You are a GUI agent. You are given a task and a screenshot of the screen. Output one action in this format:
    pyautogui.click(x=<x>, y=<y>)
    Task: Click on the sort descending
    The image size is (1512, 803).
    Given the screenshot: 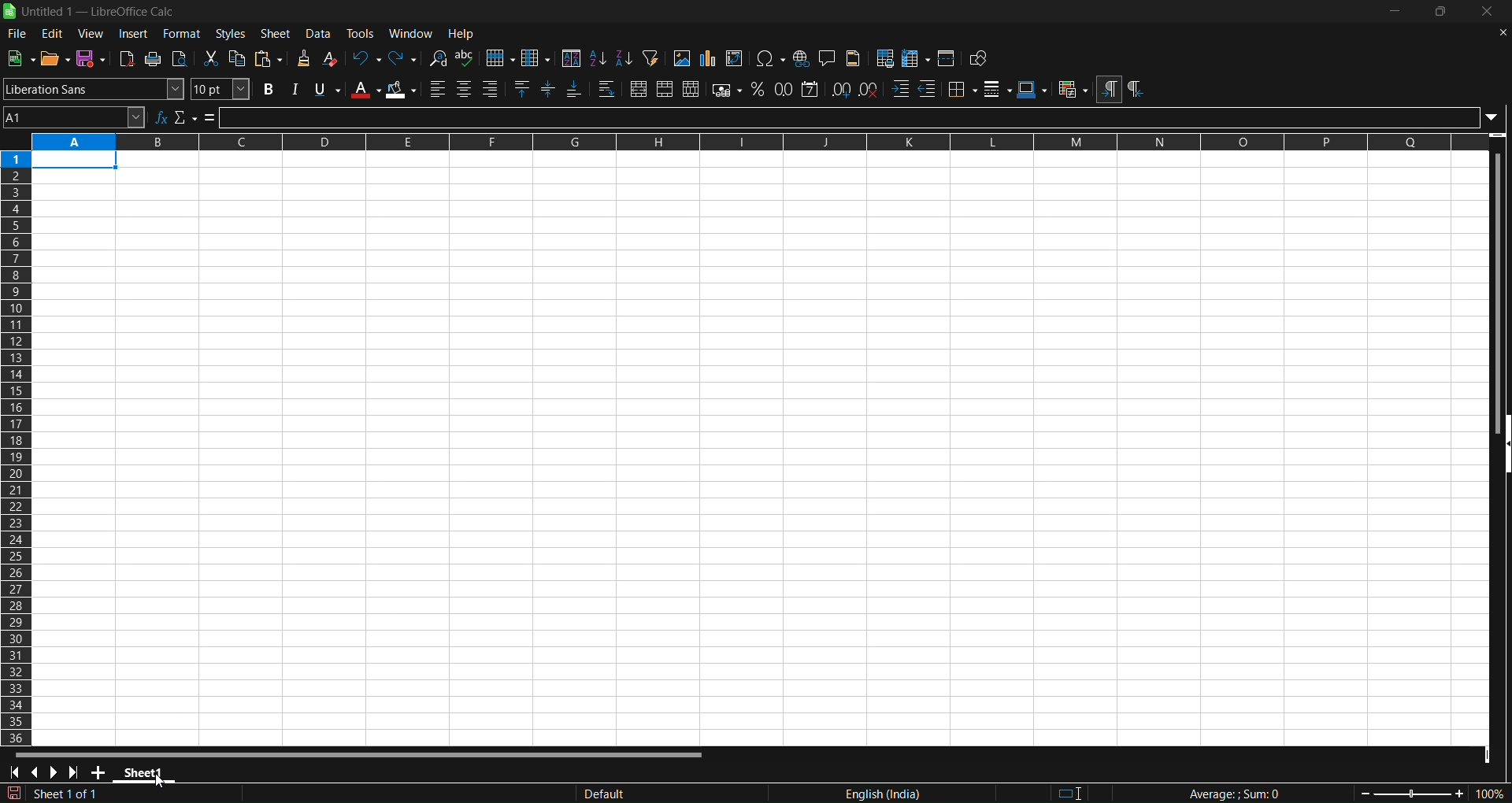 What is the action you would take?
    pyautogui.click(x=624, y=60)
    